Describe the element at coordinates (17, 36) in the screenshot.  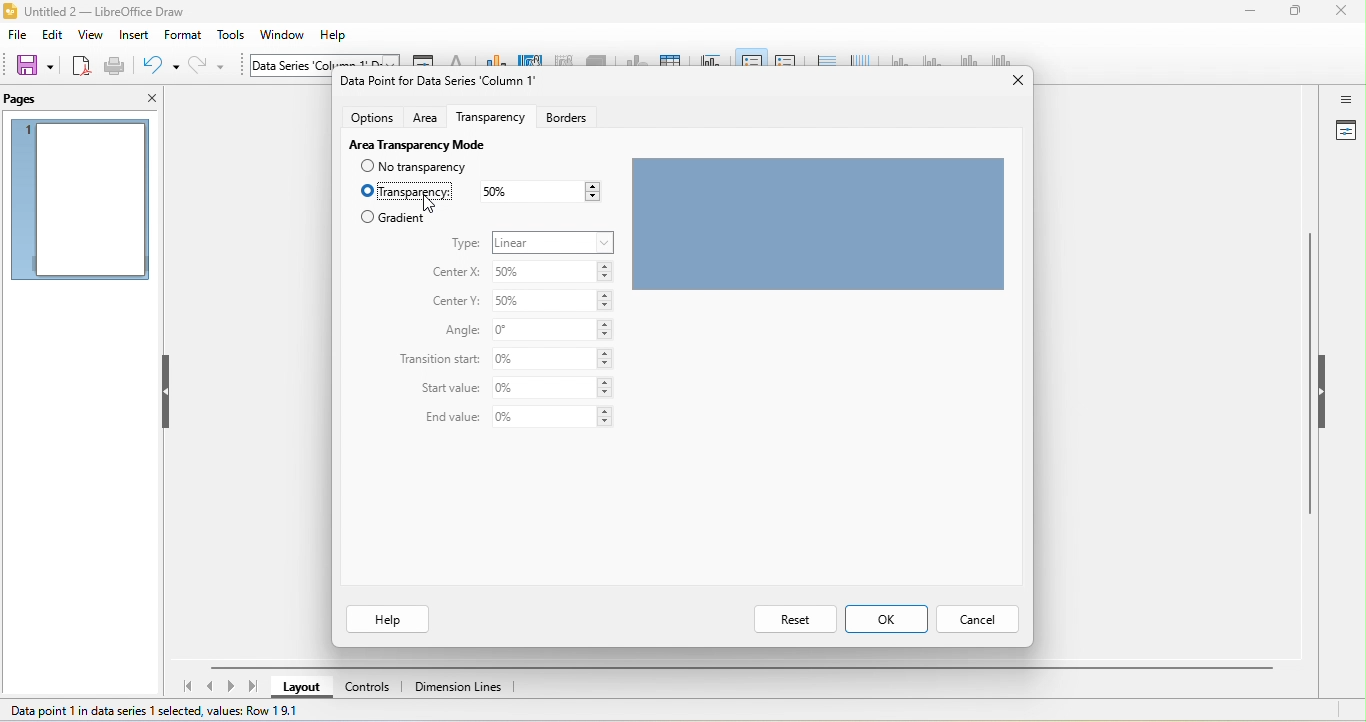
I see `file` at that location.